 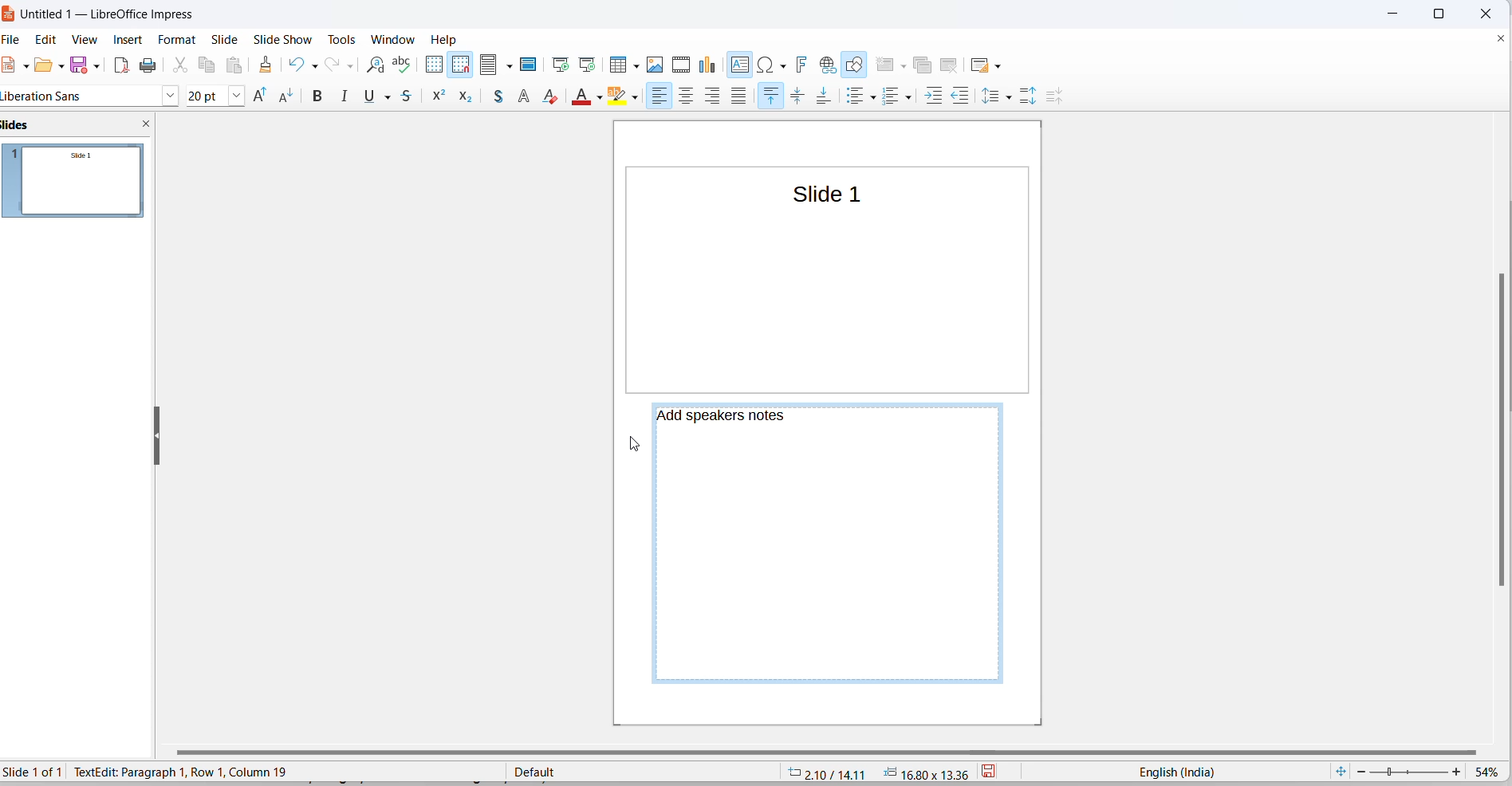 I want to click on undo, so click(x=294, y=64).